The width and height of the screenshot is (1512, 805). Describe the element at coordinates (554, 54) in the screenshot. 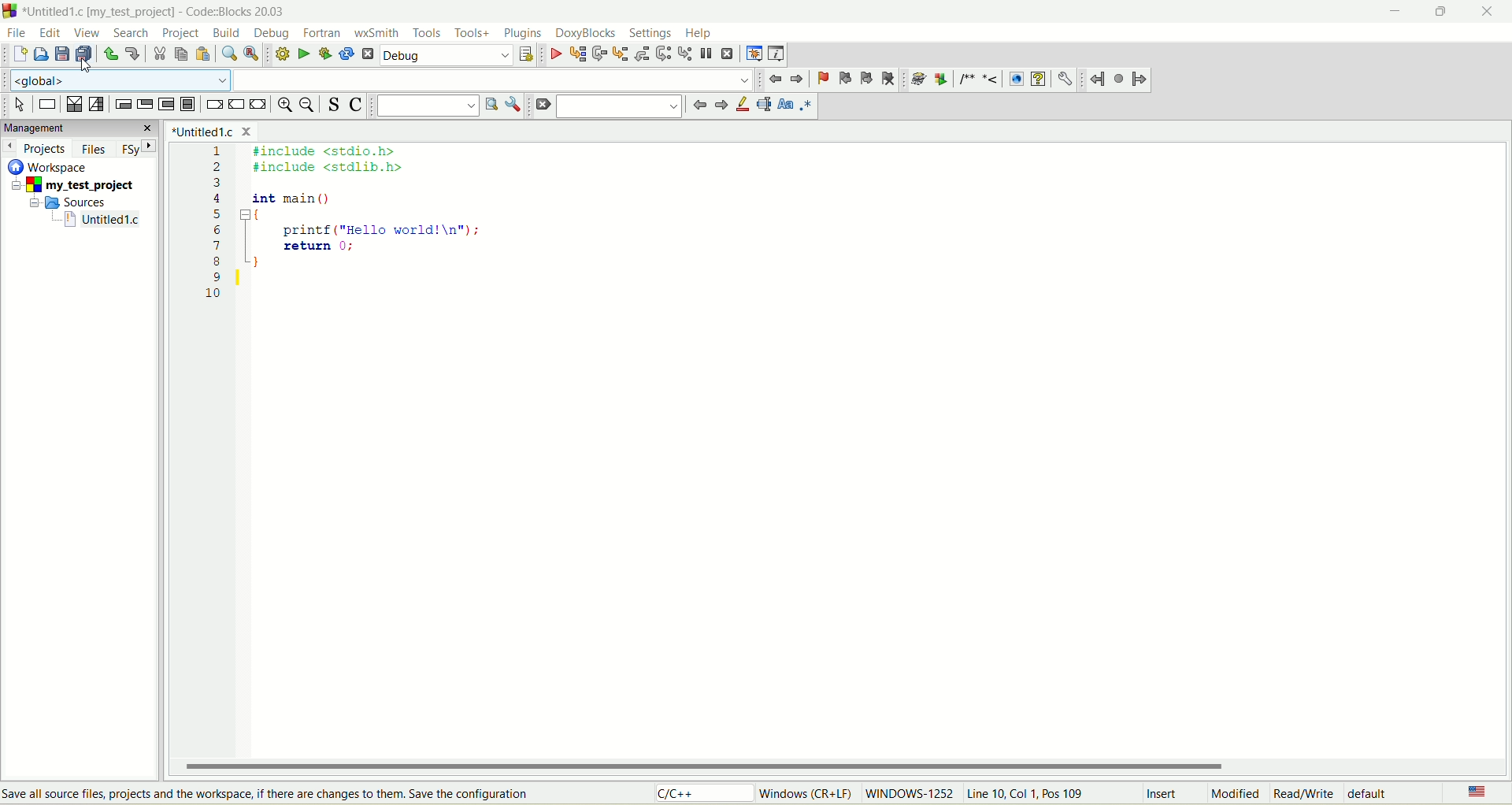

I see `debug` at that location.